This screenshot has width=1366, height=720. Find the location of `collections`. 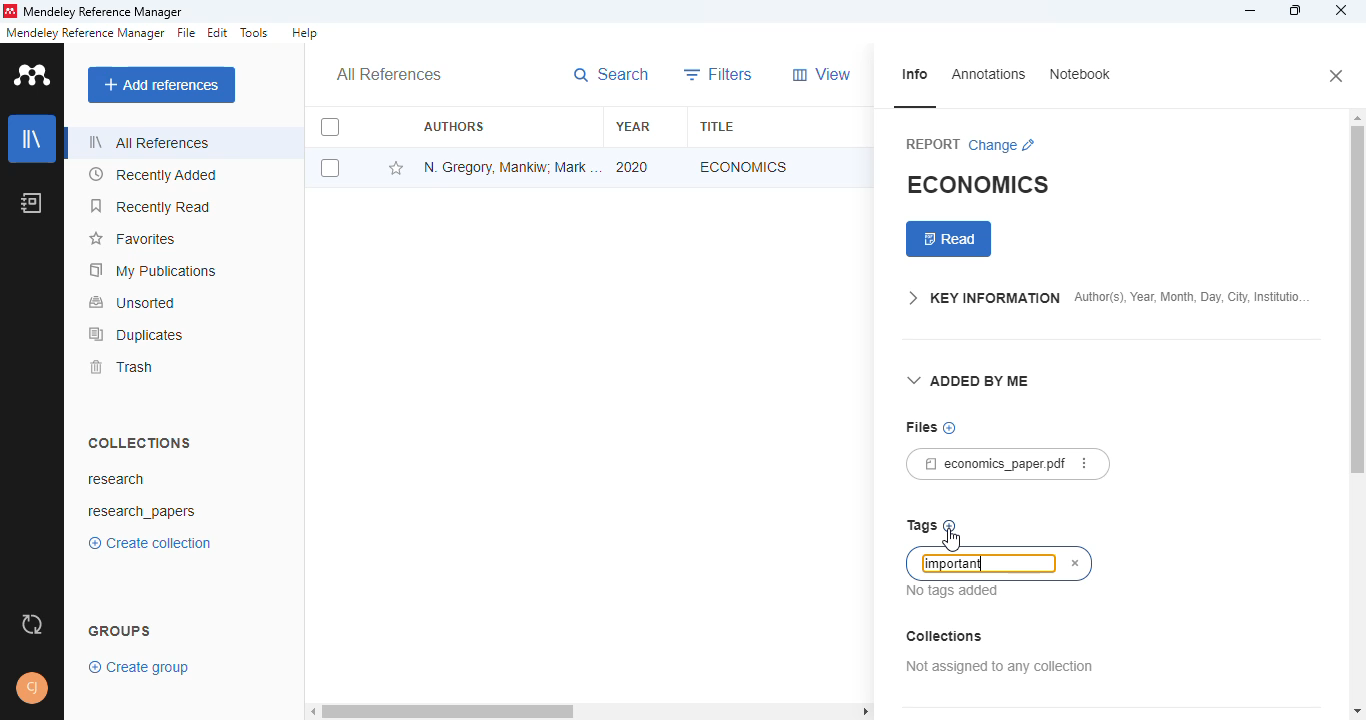

collections is located at coordinates (140, 444).